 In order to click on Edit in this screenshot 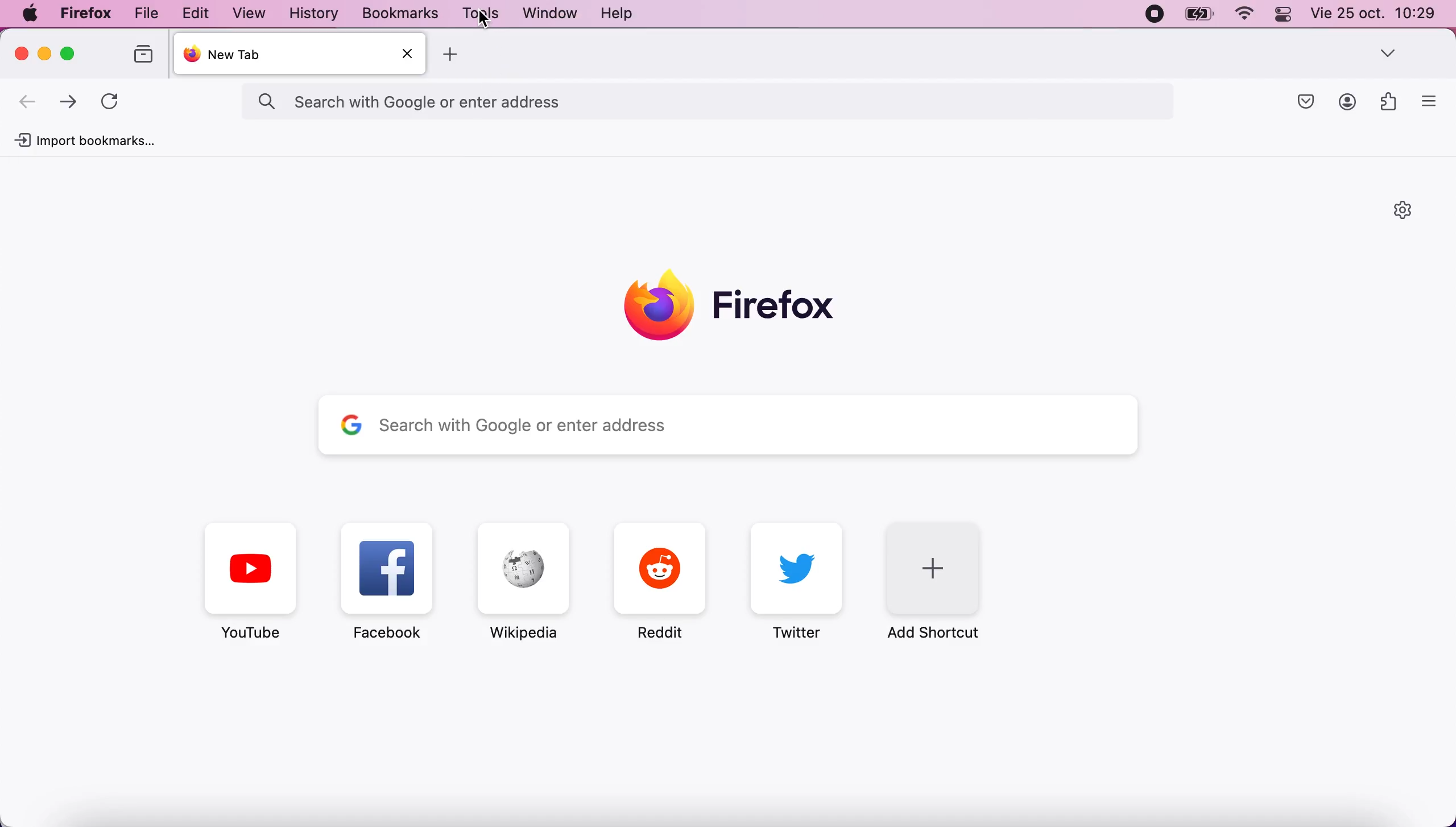, I will do `click(196, 13)`.